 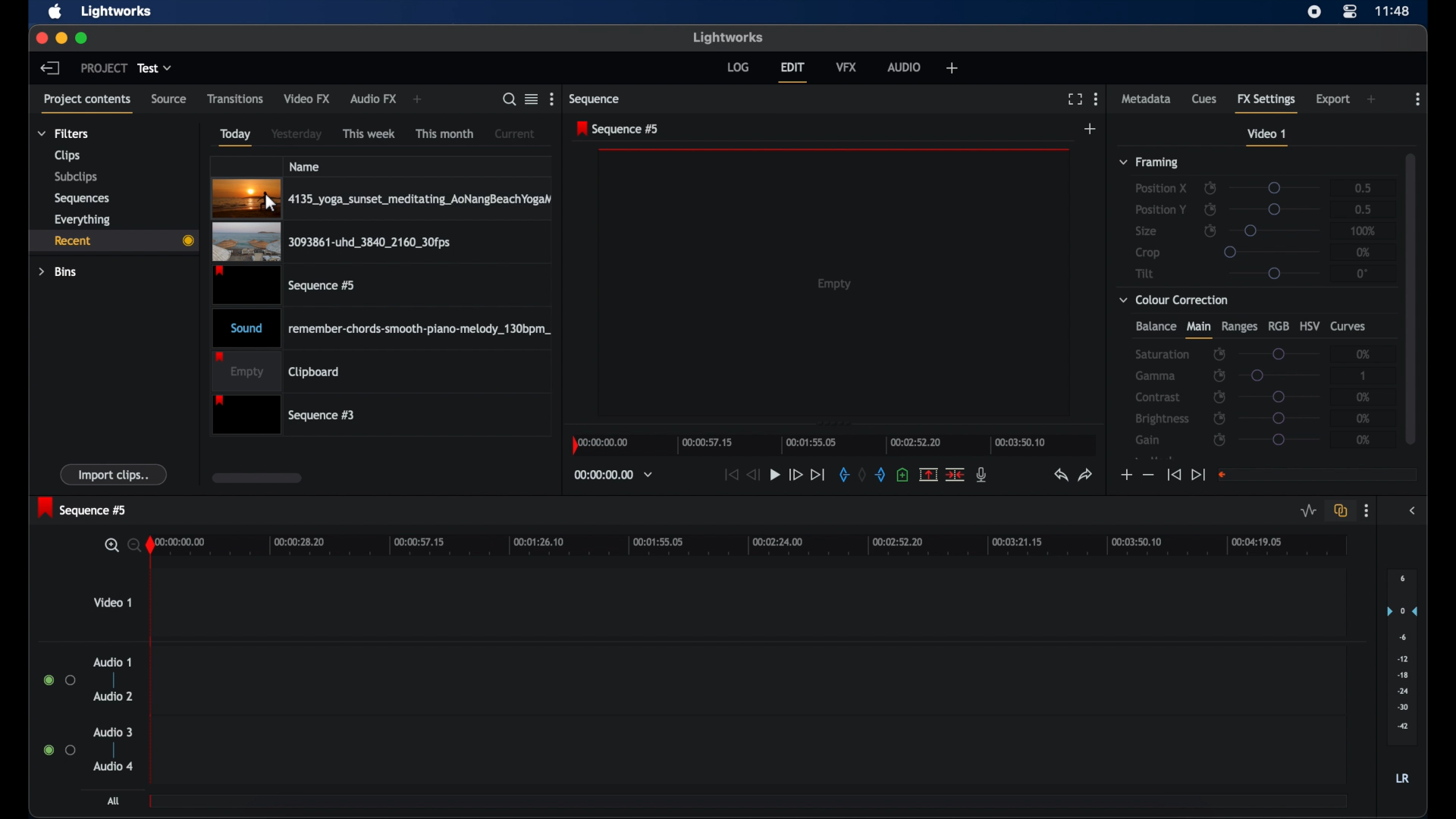 What do you see at coordinates (1150, 163) in the screenshot?
I see `framing` at bounding box center [1150, 163].